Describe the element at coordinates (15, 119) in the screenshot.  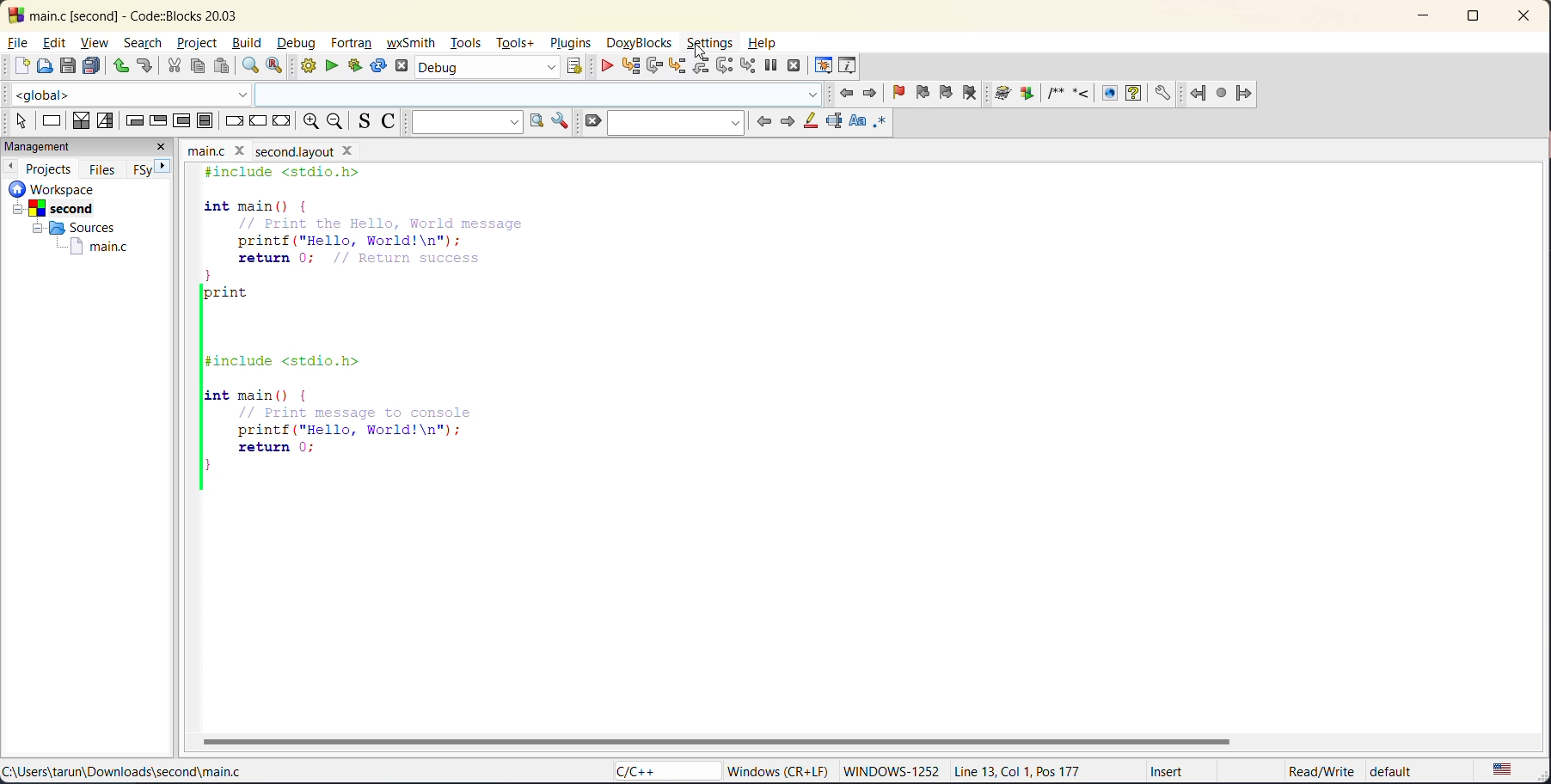
I see `select` at that location.